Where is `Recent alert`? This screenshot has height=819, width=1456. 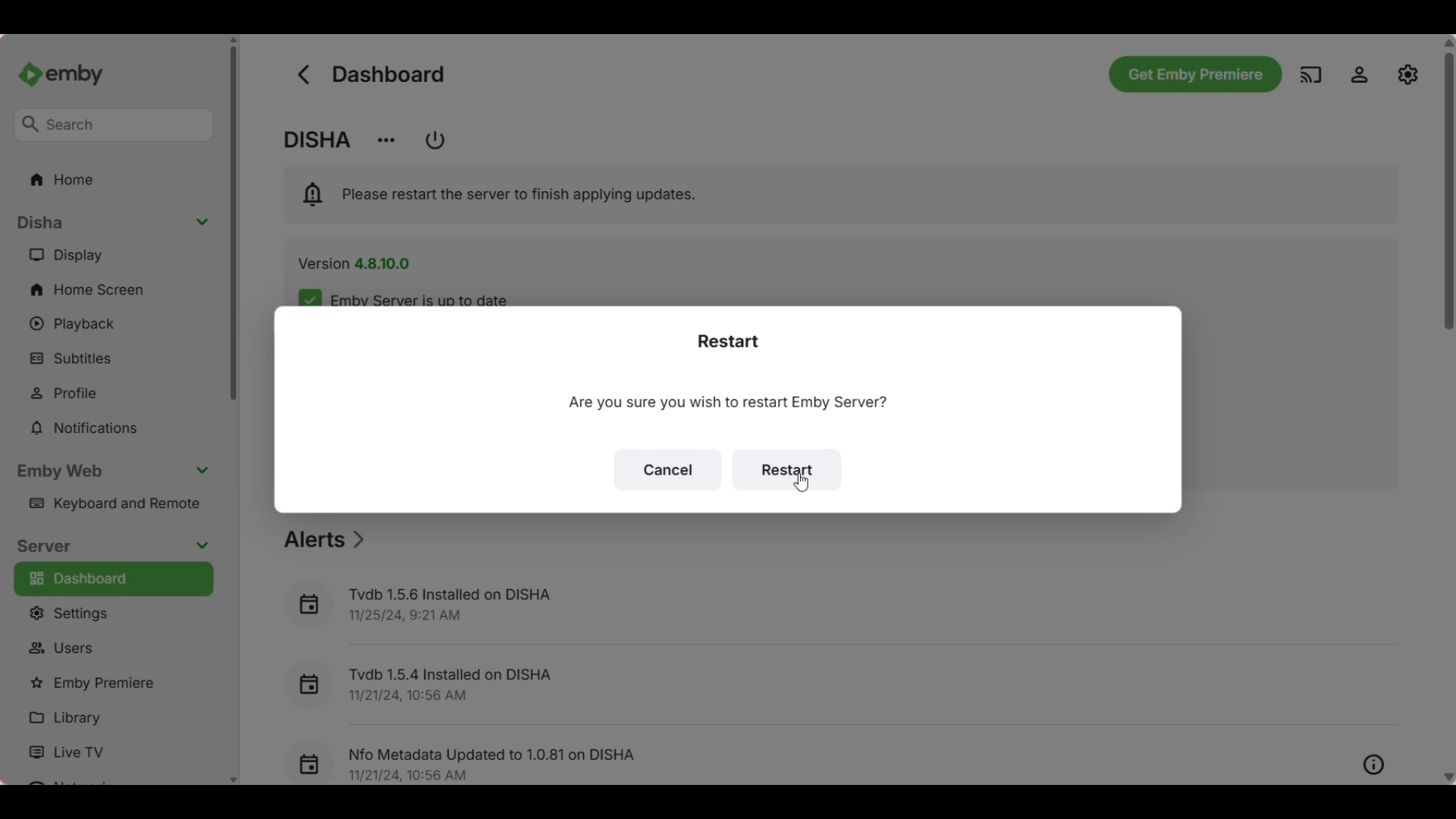 Recent alert is located at coordinates (814, 757).